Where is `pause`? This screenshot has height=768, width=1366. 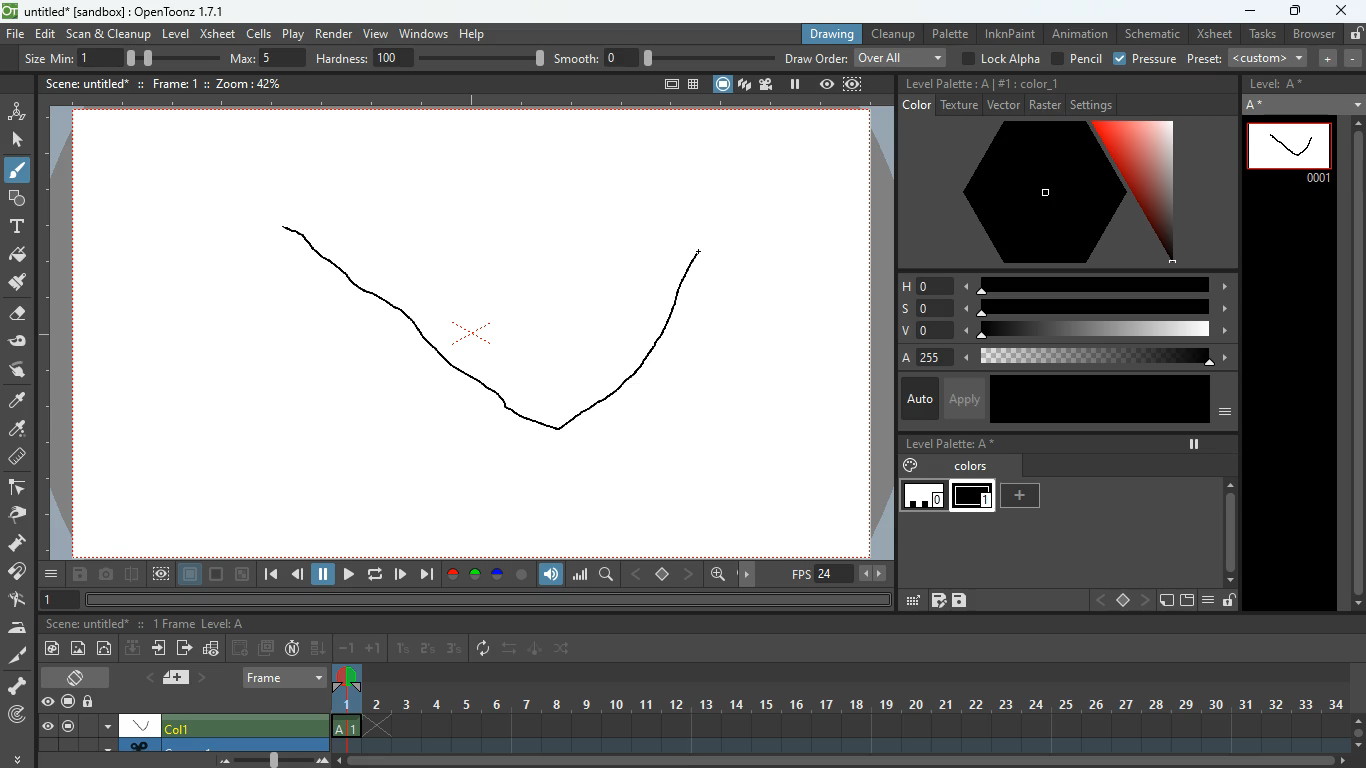 pause is located at coordinates (1194, 444).